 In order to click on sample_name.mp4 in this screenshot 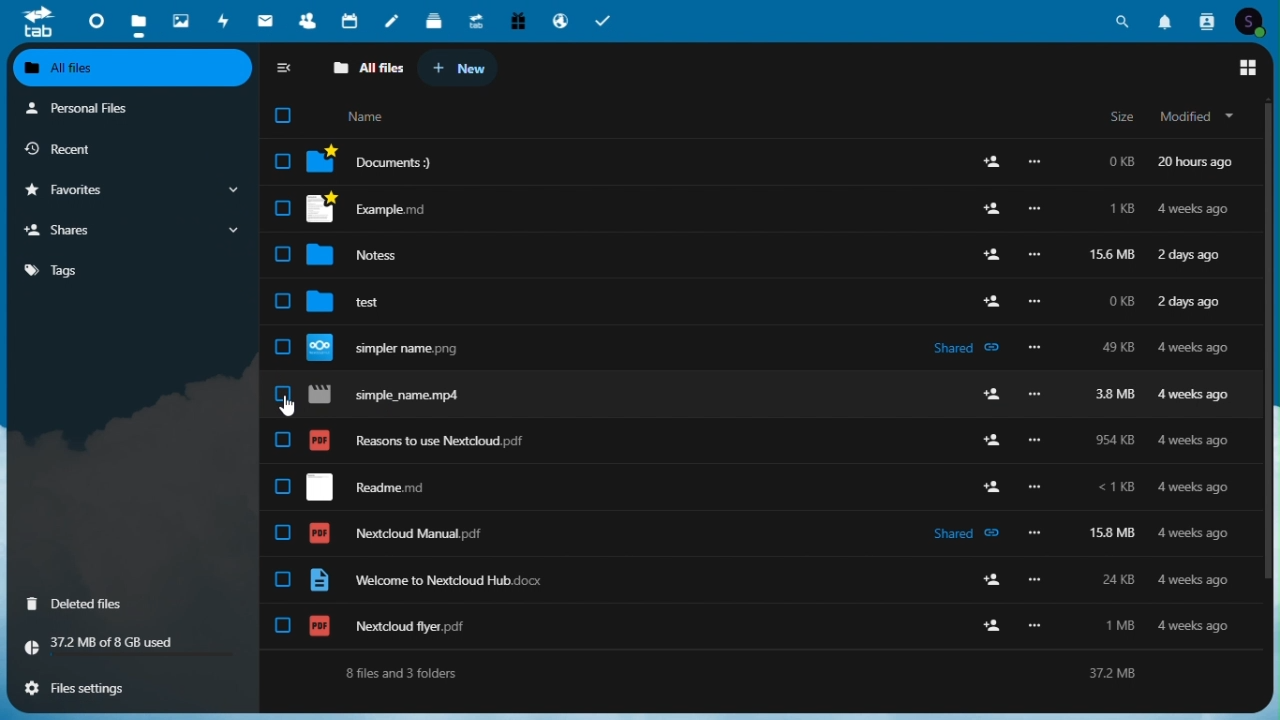, I will do `click(755, 395)`.